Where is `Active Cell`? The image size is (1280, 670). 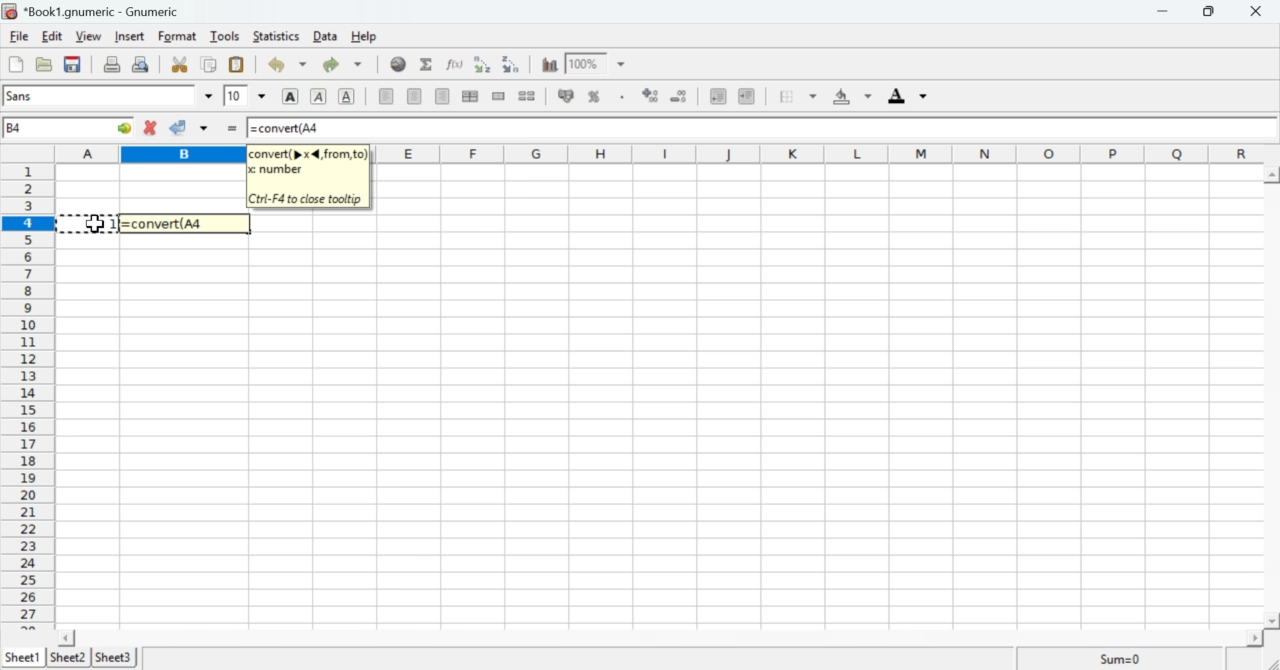 Active Cell is located at coordinates (67, 128).